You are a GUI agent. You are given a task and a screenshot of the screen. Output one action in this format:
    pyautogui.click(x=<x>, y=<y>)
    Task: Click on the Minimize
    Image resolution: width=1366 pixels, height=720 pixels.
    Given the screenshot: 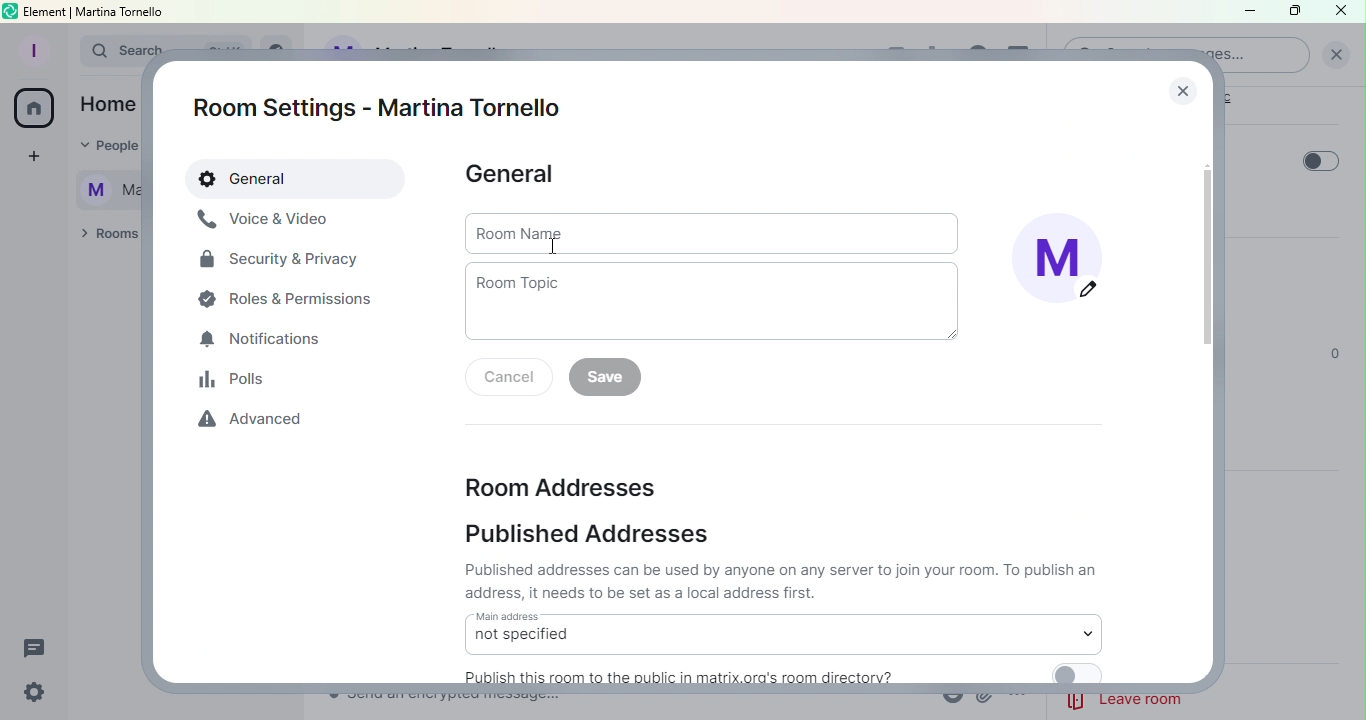 What is the action you would take?
    pyautogui.click(x=1247, y=13)
    